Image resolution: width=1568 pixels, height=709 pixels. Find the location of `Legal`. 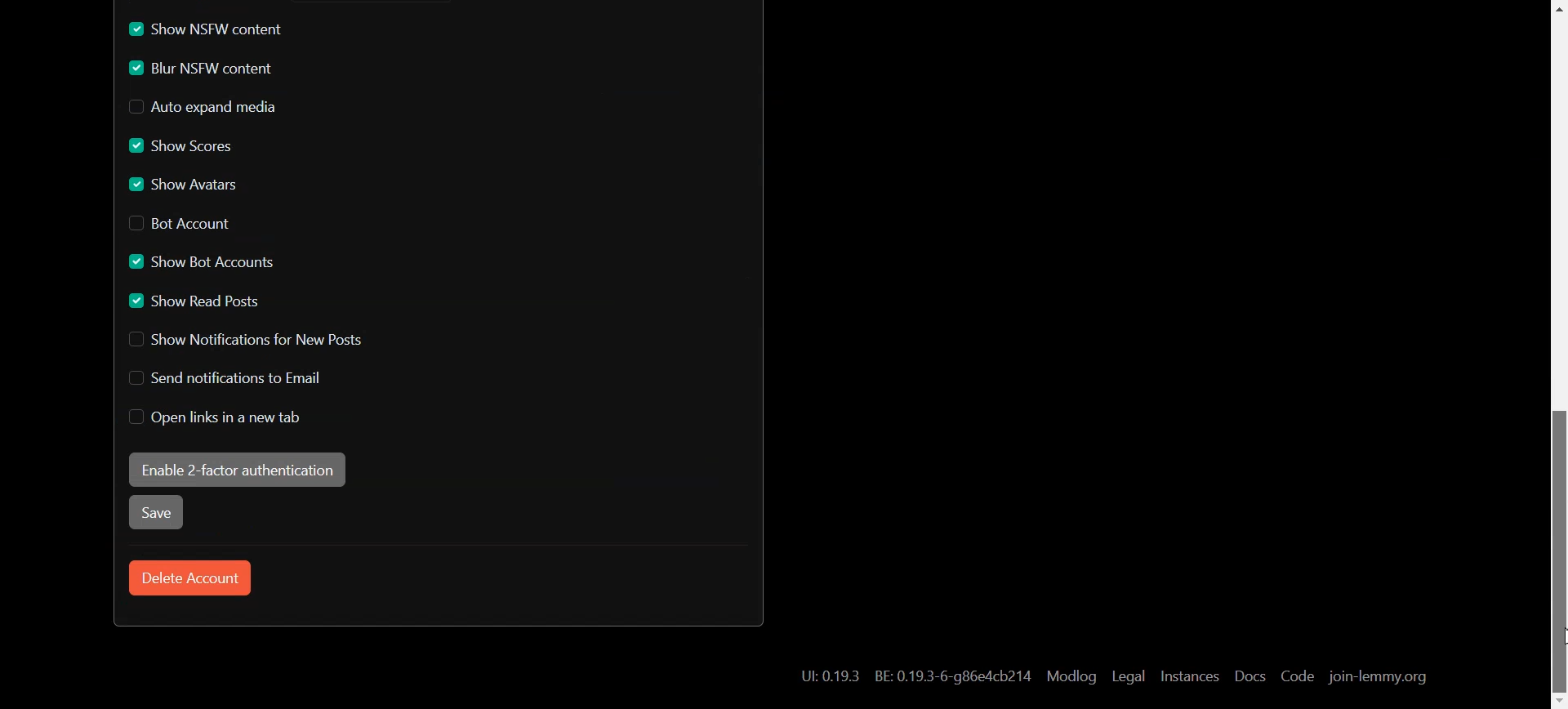

Legal is located at coordinates (1129, 676).